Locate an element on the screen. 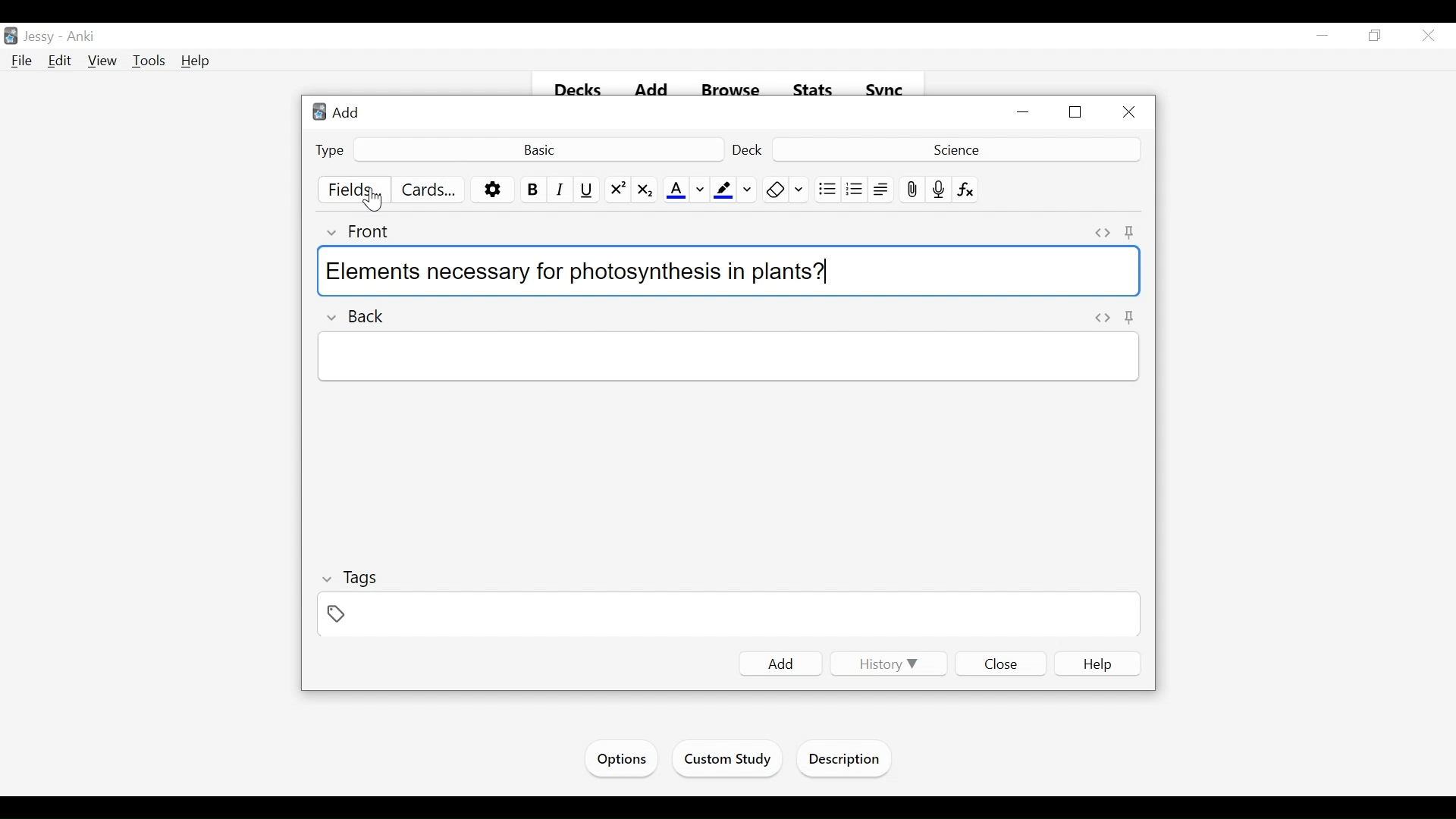 The image size is (1456, 819). Toggle HTML Editor is located at coordinates (1103, 233).